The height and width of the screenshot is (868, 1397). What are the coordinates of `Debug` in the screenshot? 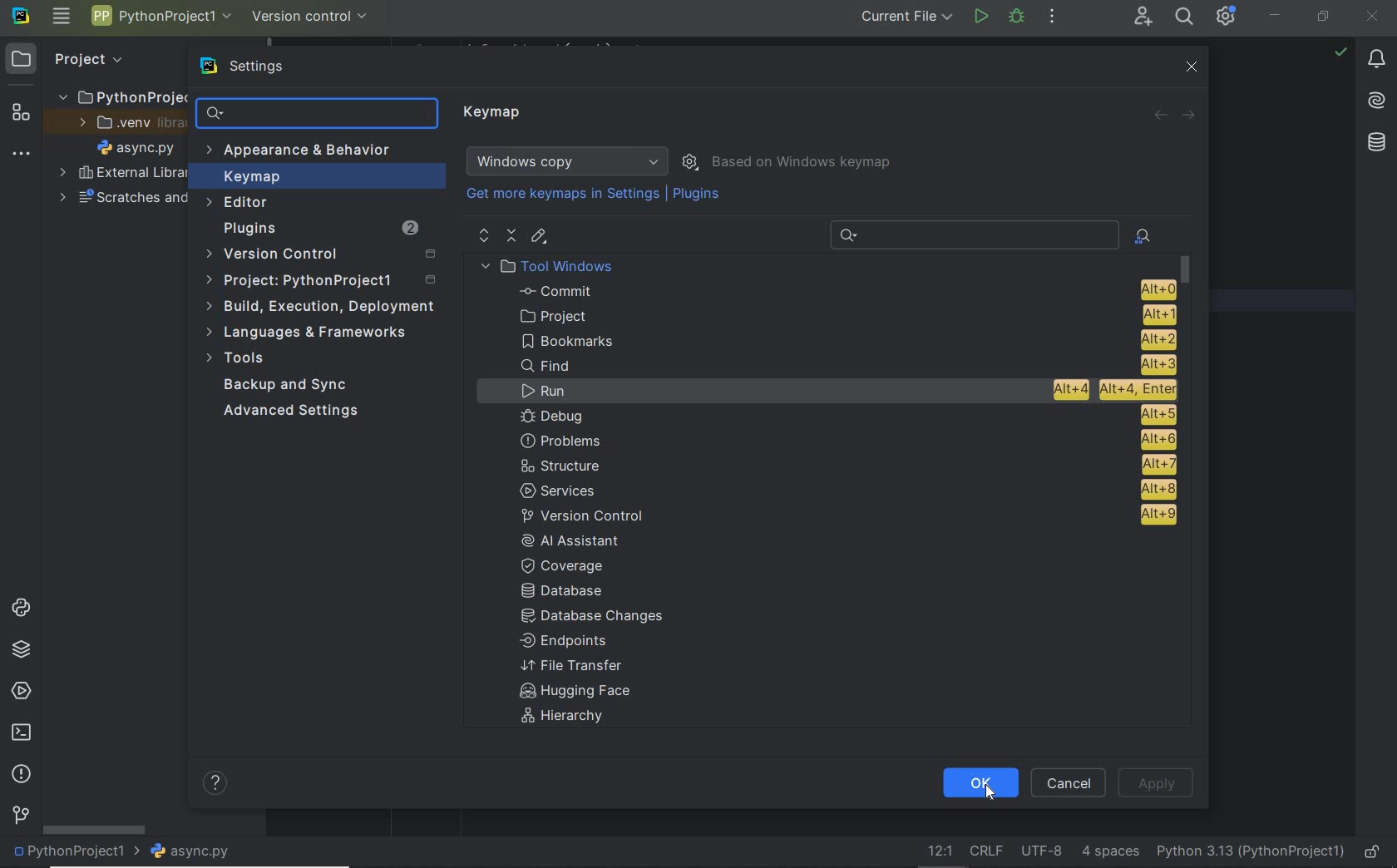 It's located at (846, 416).